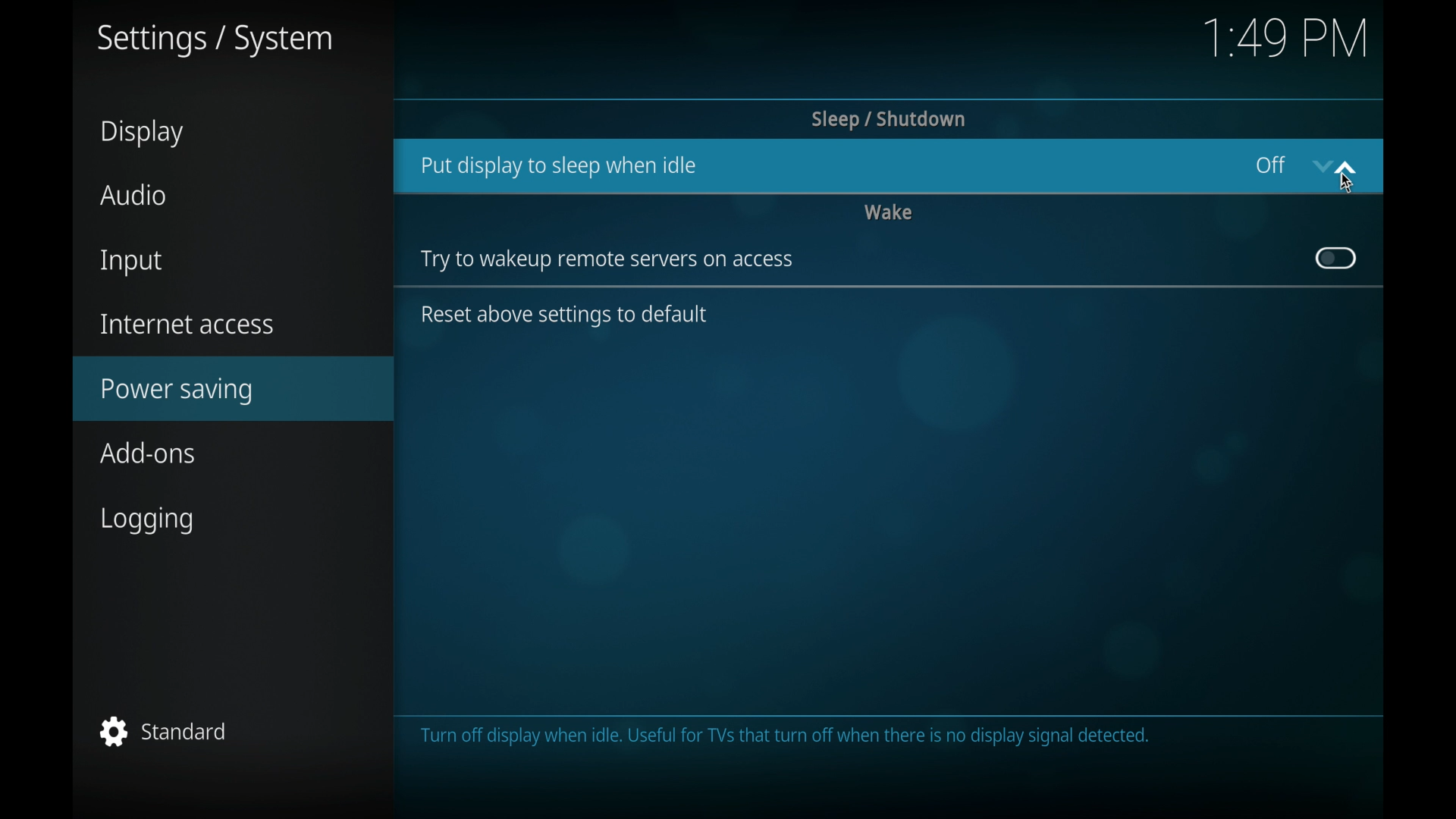  What do you see at coordinates (235, 388) in the screenshot?
I see `power-saving` at bounding box center [235, 388].